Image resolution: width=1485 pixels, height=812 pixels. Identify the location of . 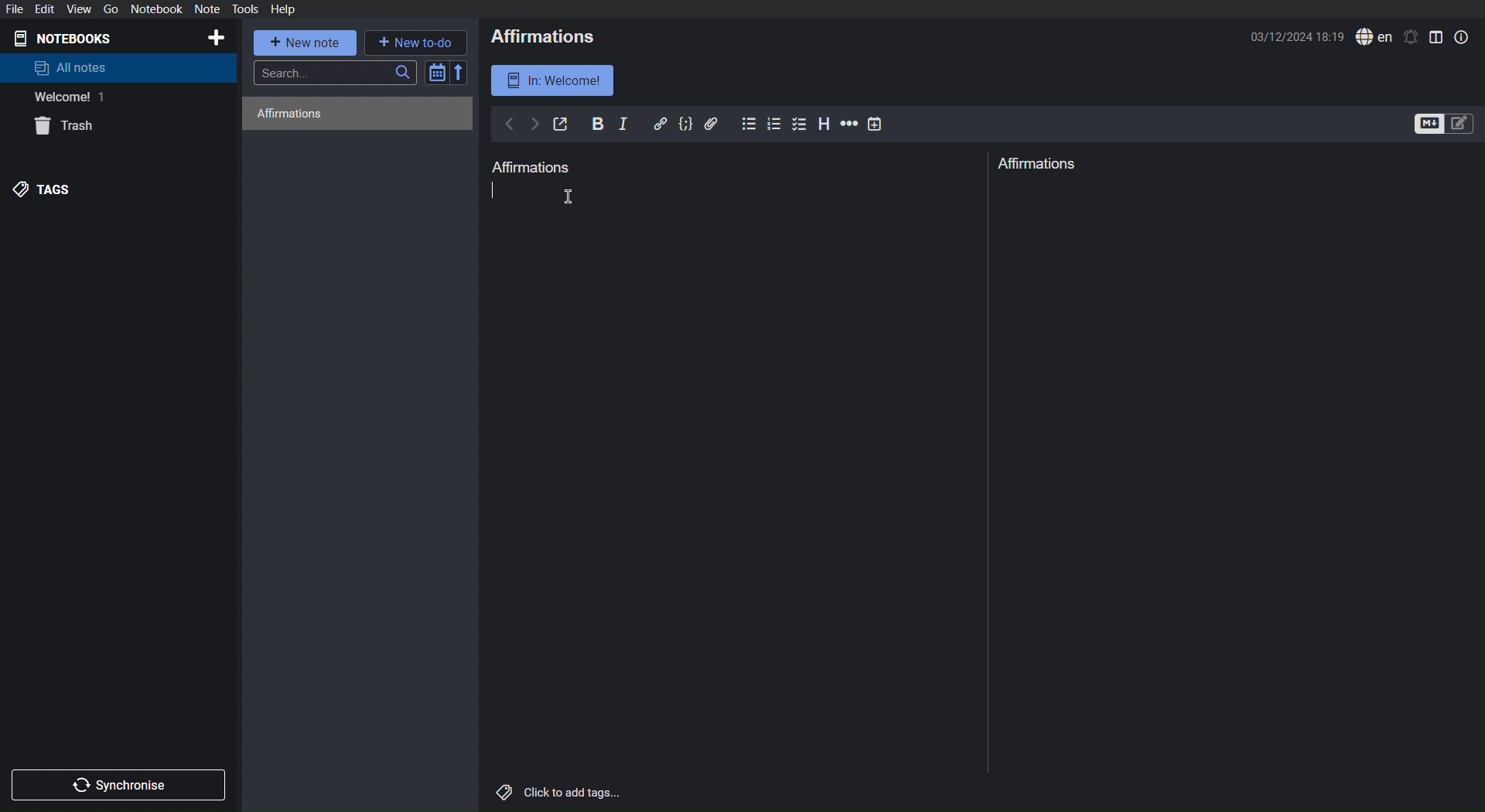
(749, 123).